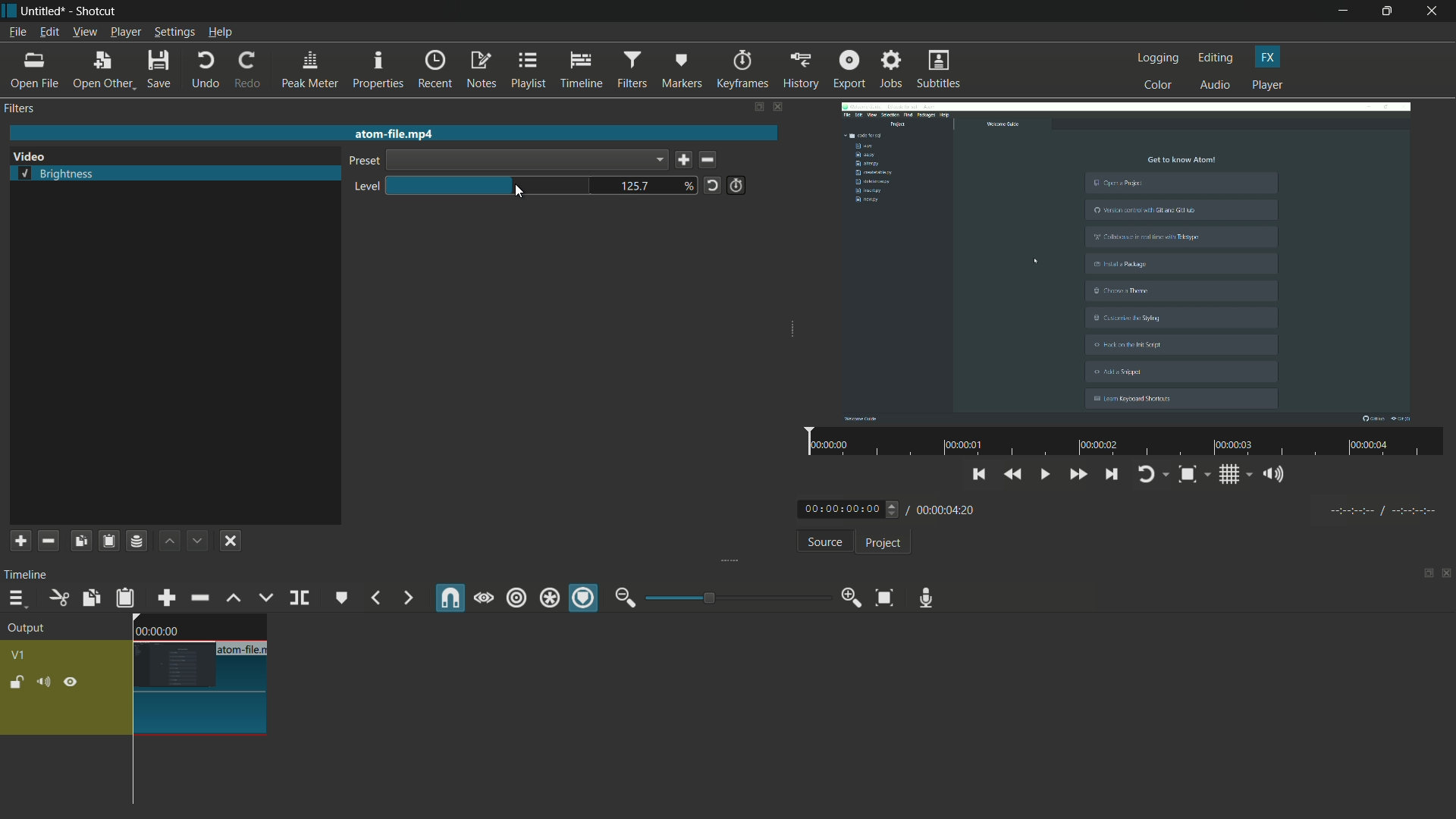 This screenshot has width=1456, height=819. What do you see at coordinates (635, 187) in the screenshot?
I see `125.7` at bounding box center [635, 187].